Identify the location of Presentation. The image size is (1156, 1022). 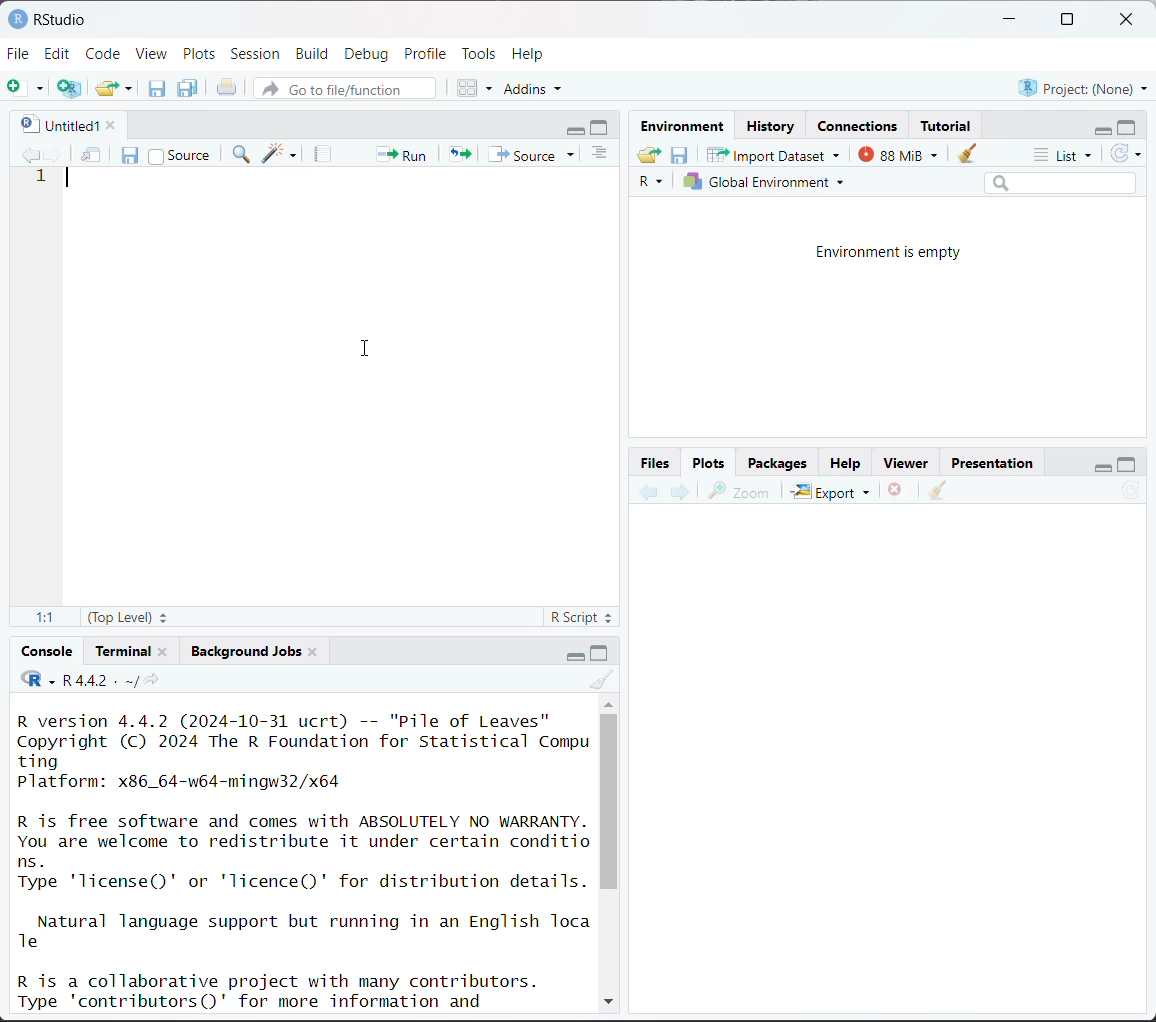
(993, 464).